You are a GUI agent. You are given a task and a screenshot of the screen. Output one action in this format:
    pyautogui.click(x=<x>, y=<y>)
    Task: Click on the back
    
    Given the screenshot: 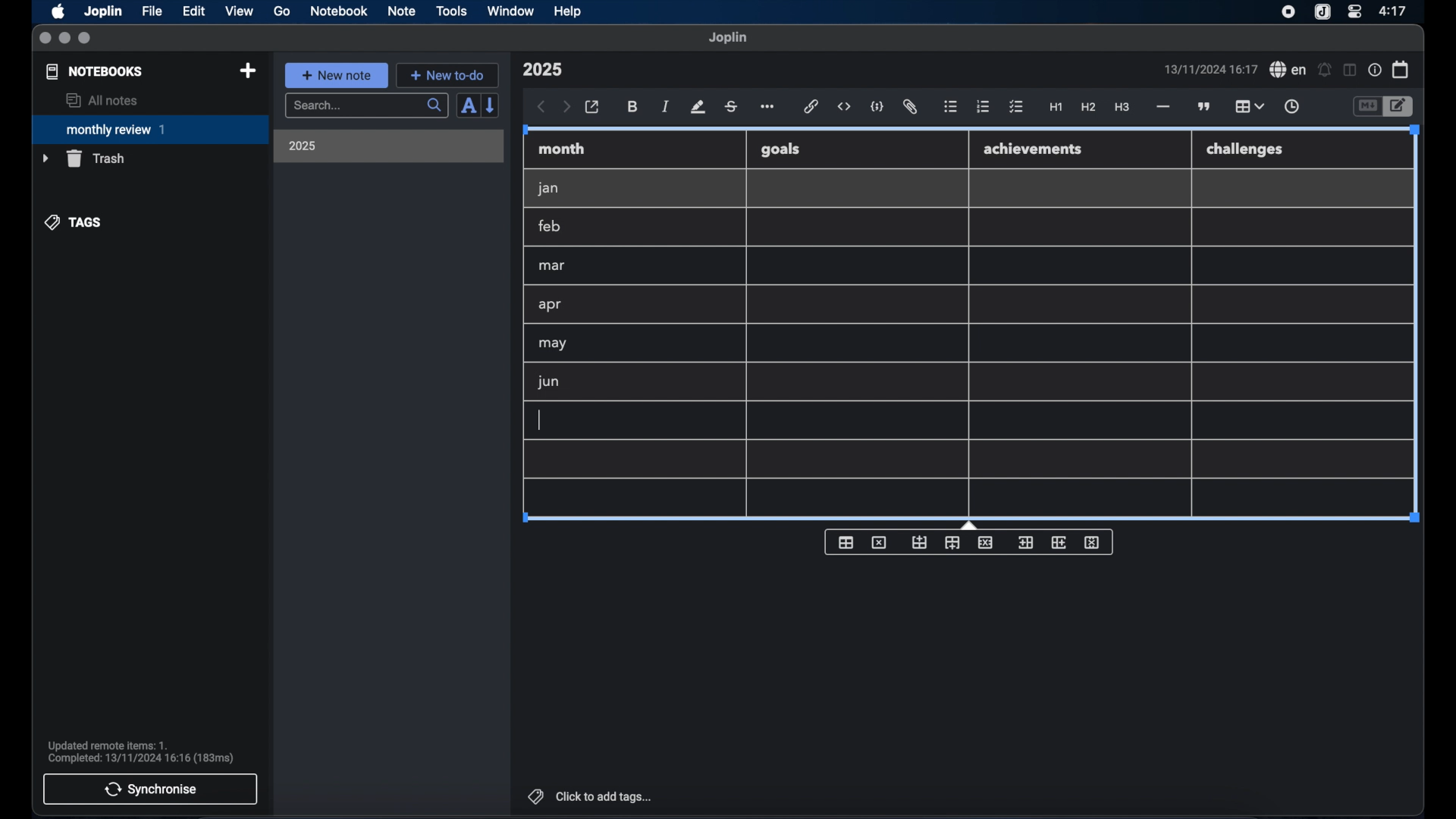 What is the action you would take?
    pyautogui.click(x=541, y=107)
    